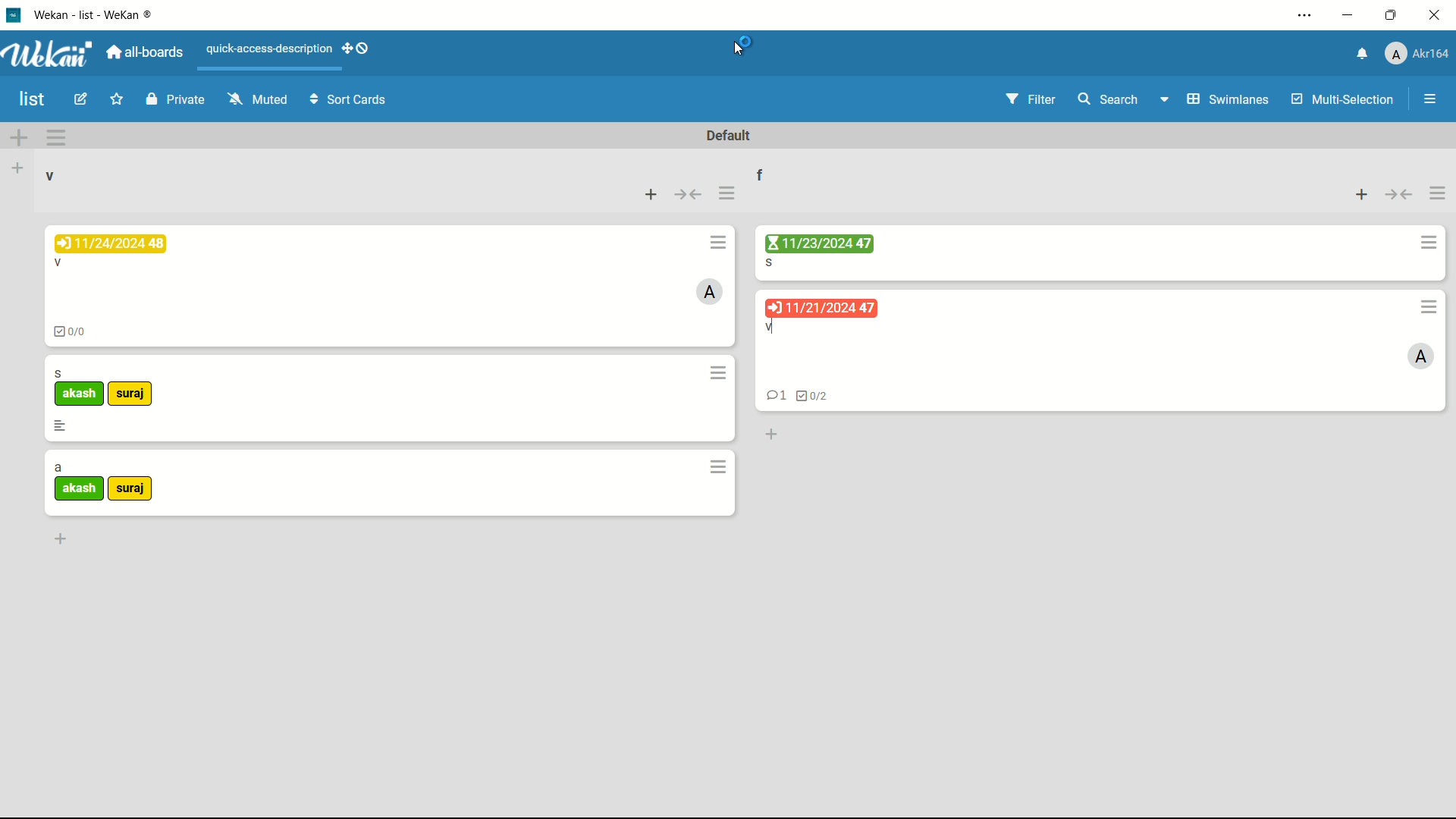 The height and width of the screenshot is (819, 1456). What do you see at coordinates (1363, 196) in the screenshot?
I see `add card top of list` at bounding box center [1363, 196].